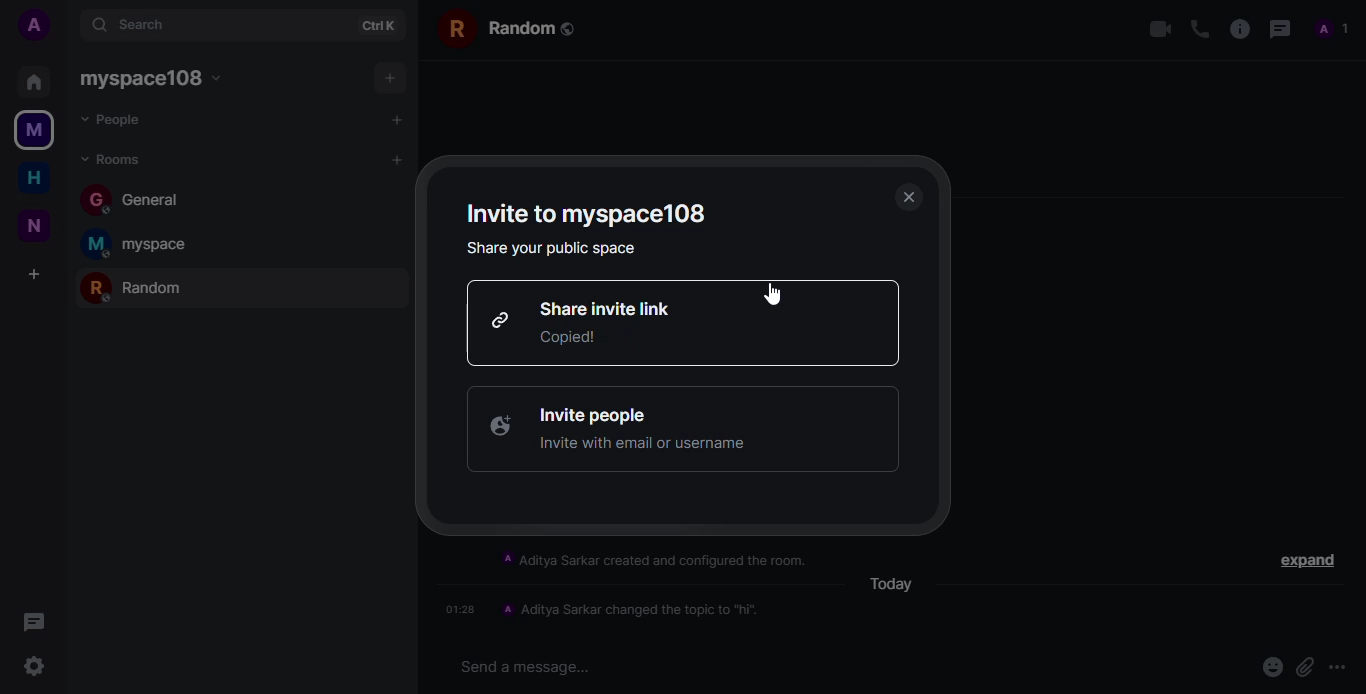 Image resolution: width=1366 pixels, height=694 pixels. Describe the element at coordinates (589, 210) in the screenshot. I see `invite to myspace108` at that location.